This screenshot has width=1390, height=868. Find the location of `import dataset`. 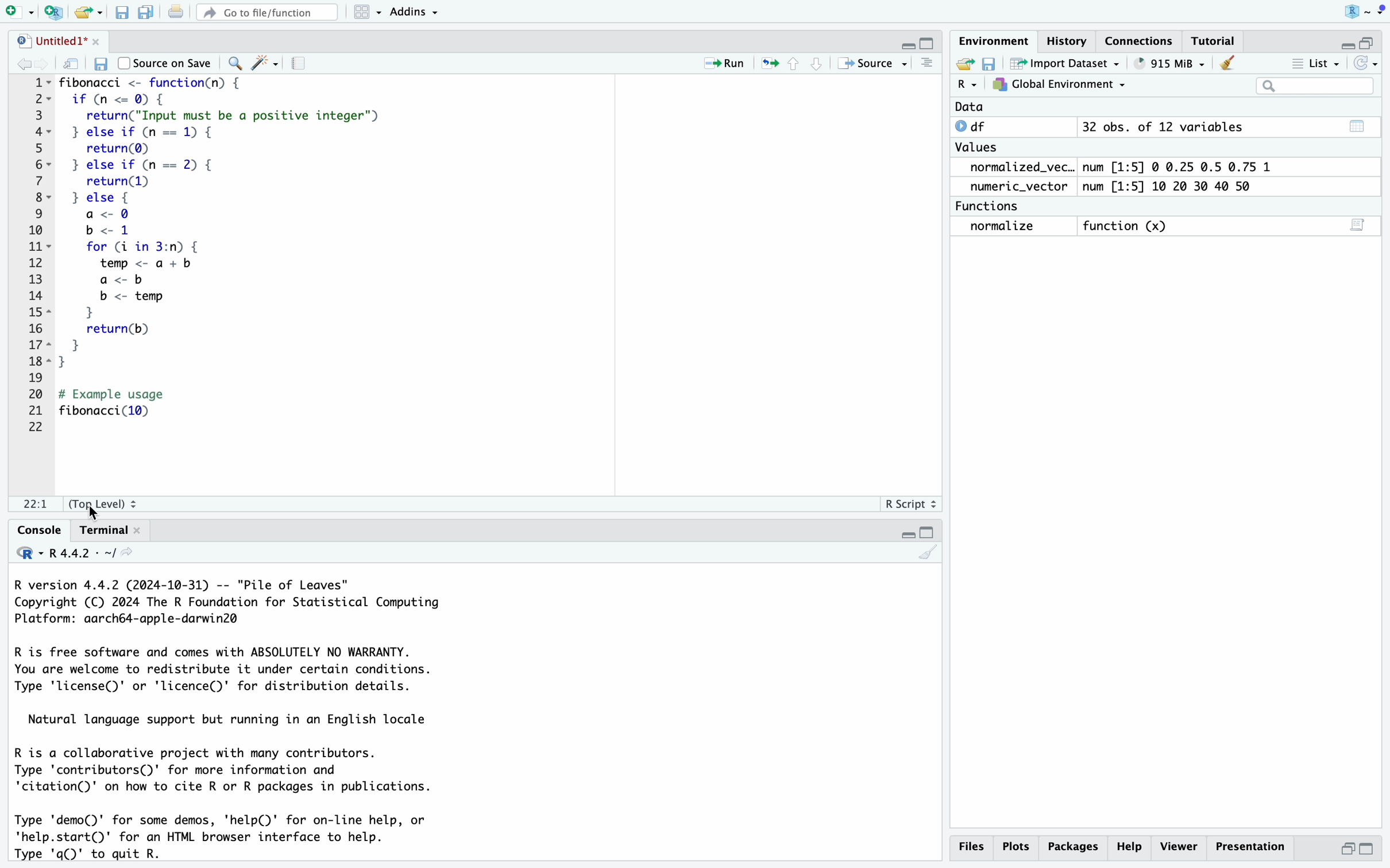

import dataset is located at coordinates (1072, 64).